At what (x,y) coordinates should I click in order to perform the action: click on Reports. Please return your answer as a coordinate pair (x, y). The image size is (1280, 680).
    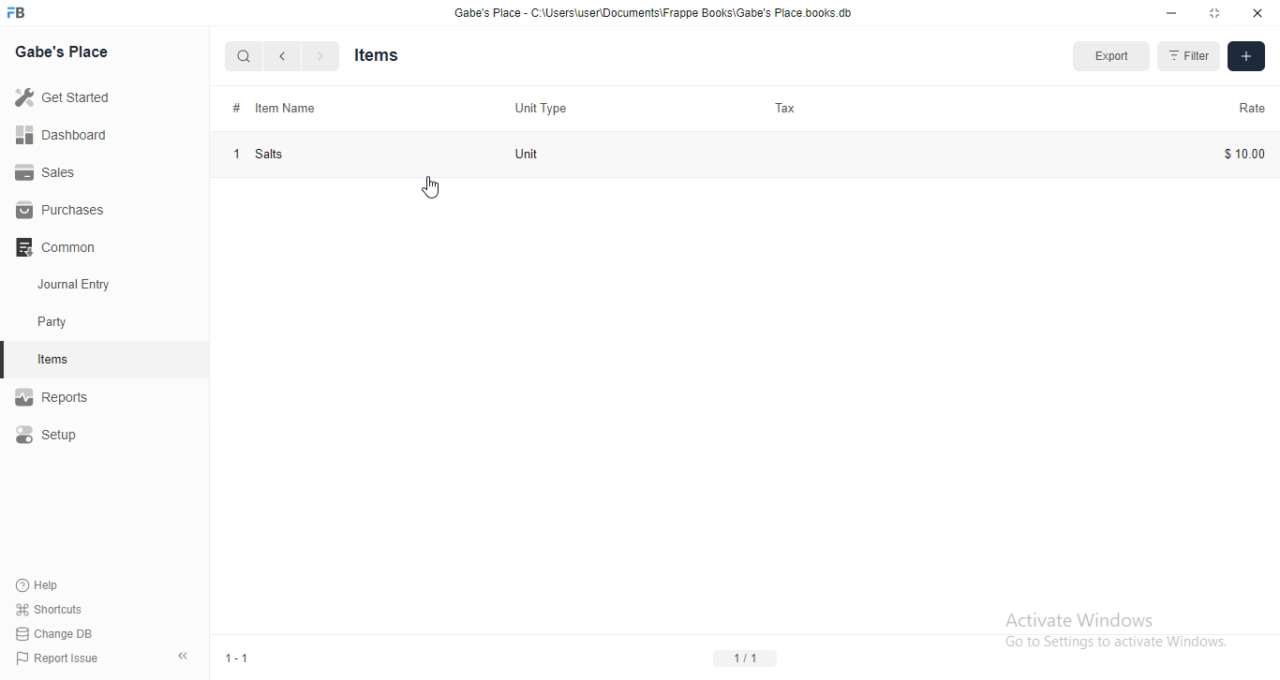
    Looking at the image, I should click on (61, 396).